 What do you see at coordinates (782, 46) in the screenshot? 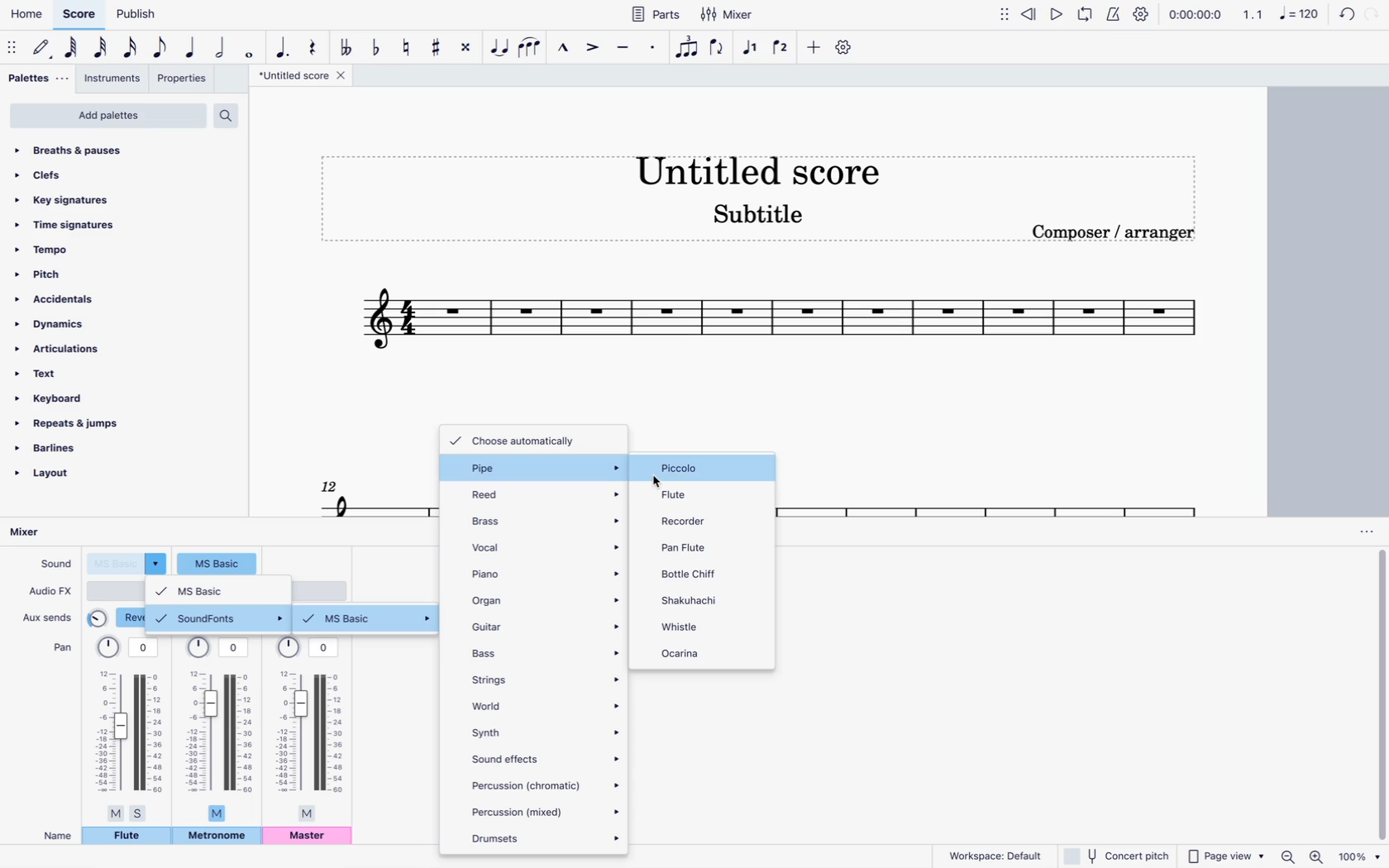
I see `voice 2` at bounding box center [782, 46].